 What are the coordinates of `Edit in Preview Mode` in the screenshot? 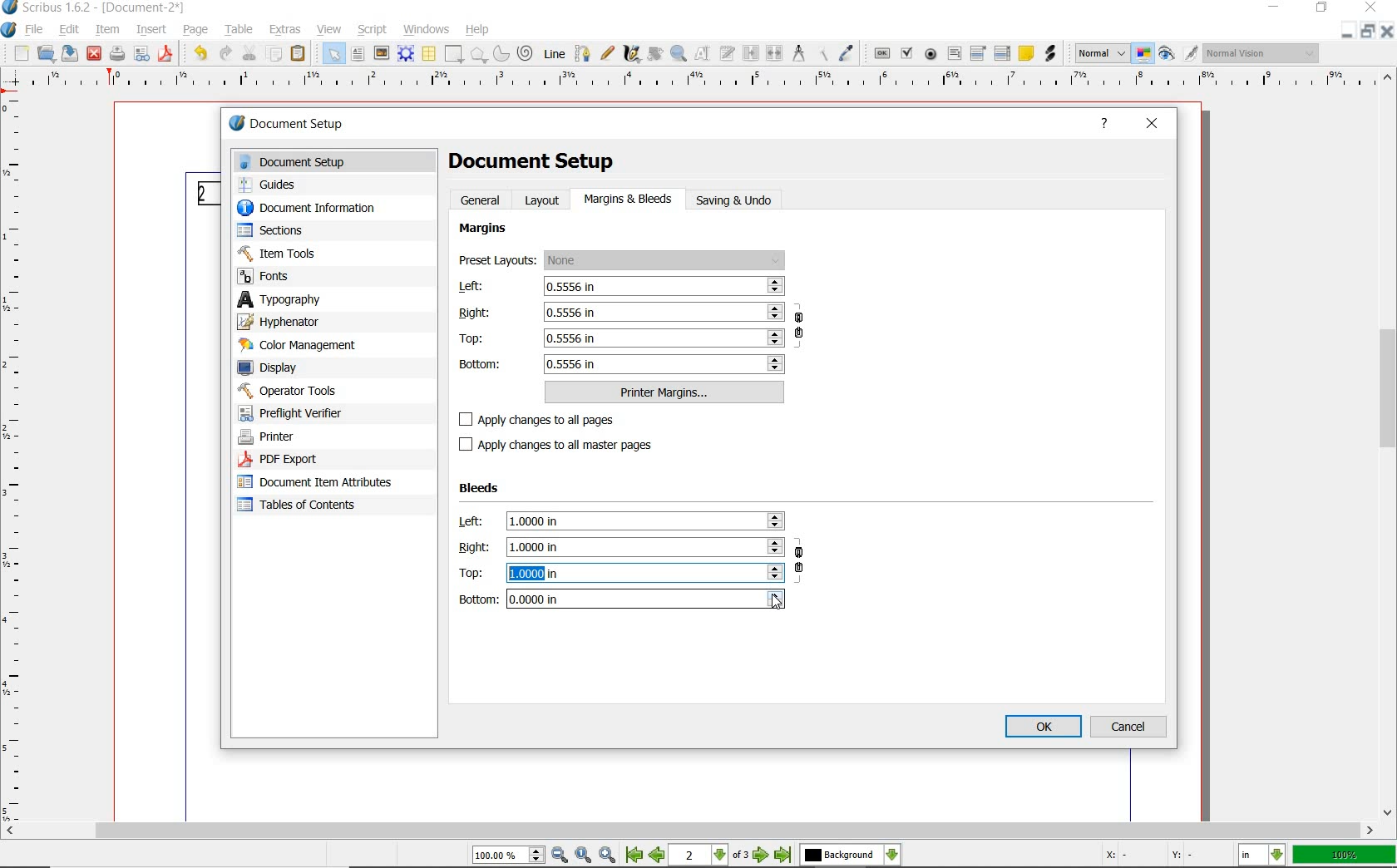 It's located at (1190, 56).